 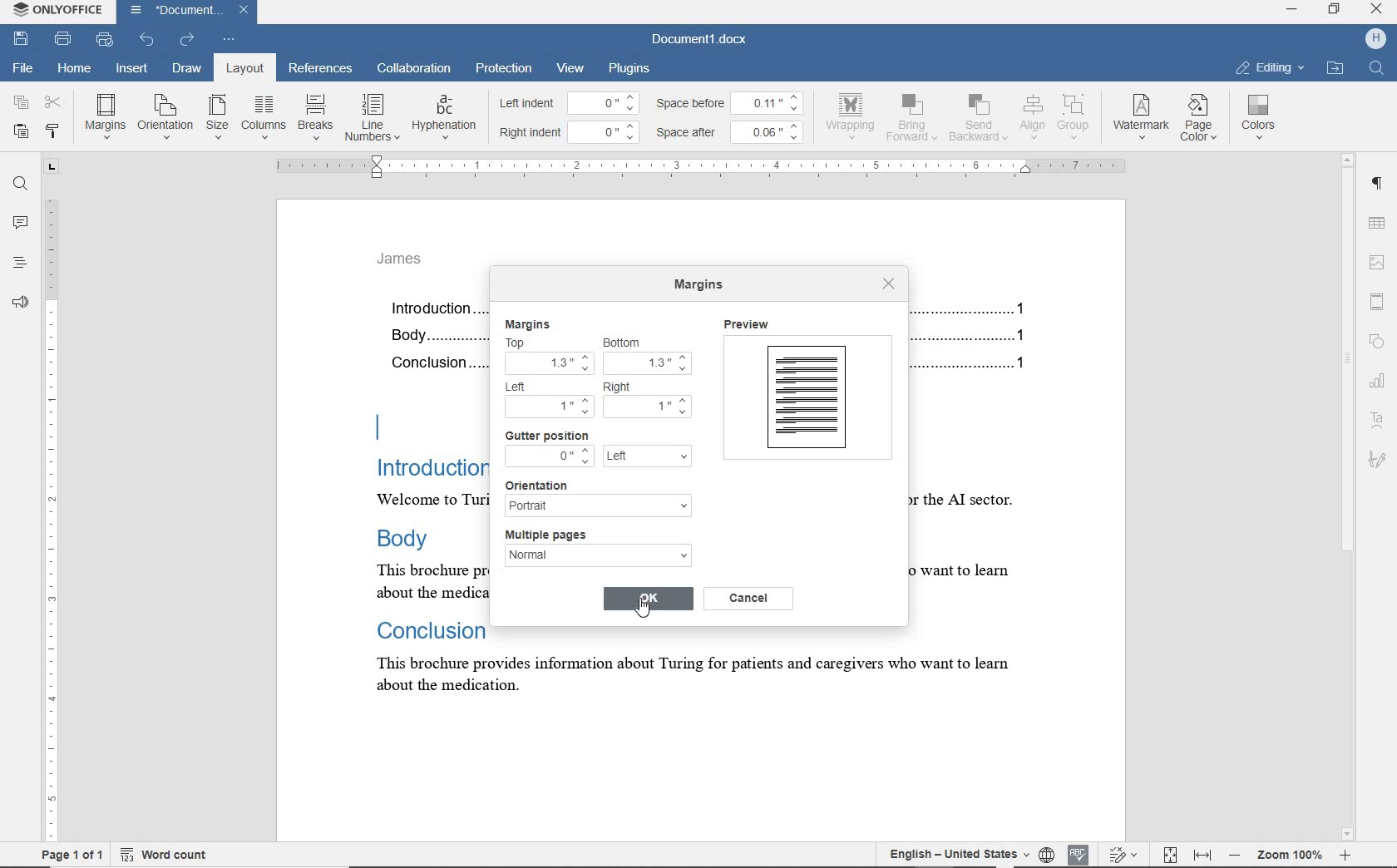 What do you see at coordinates (105, 116) in the screenshot?
I see `margins` at bounding box center [105, 116].